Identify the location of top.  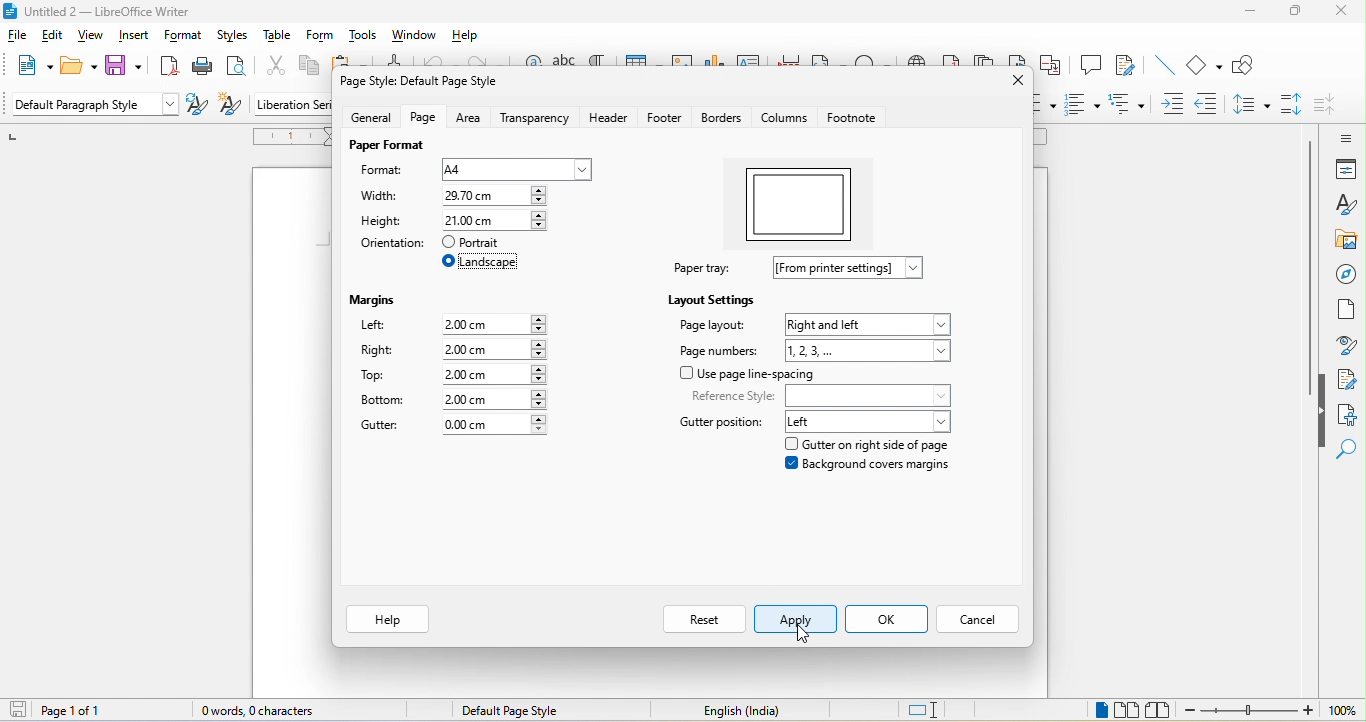
(373, 376).